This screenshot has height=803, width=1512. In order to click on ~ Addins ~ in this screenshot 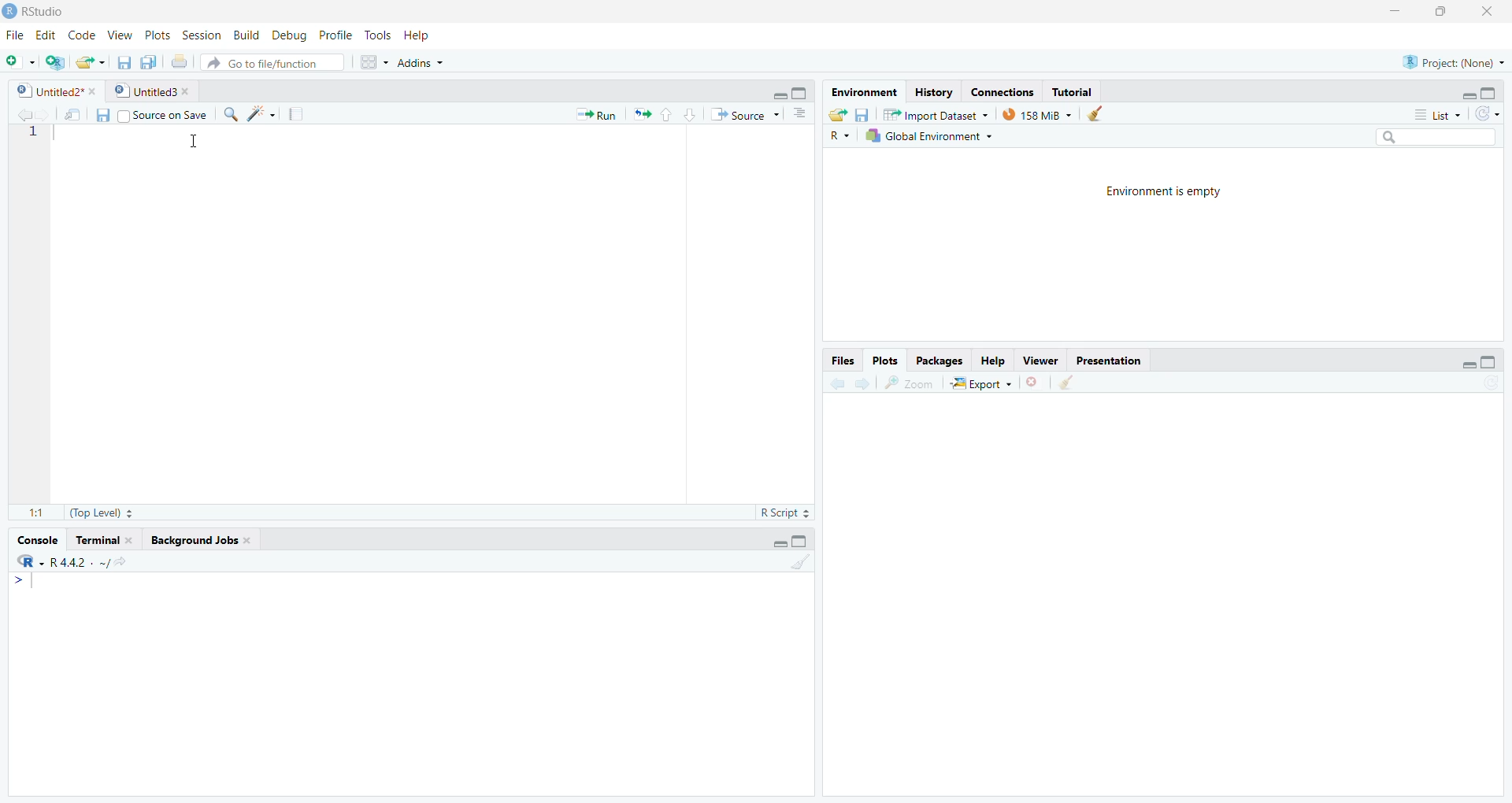, I will do `click(424, 65)`.